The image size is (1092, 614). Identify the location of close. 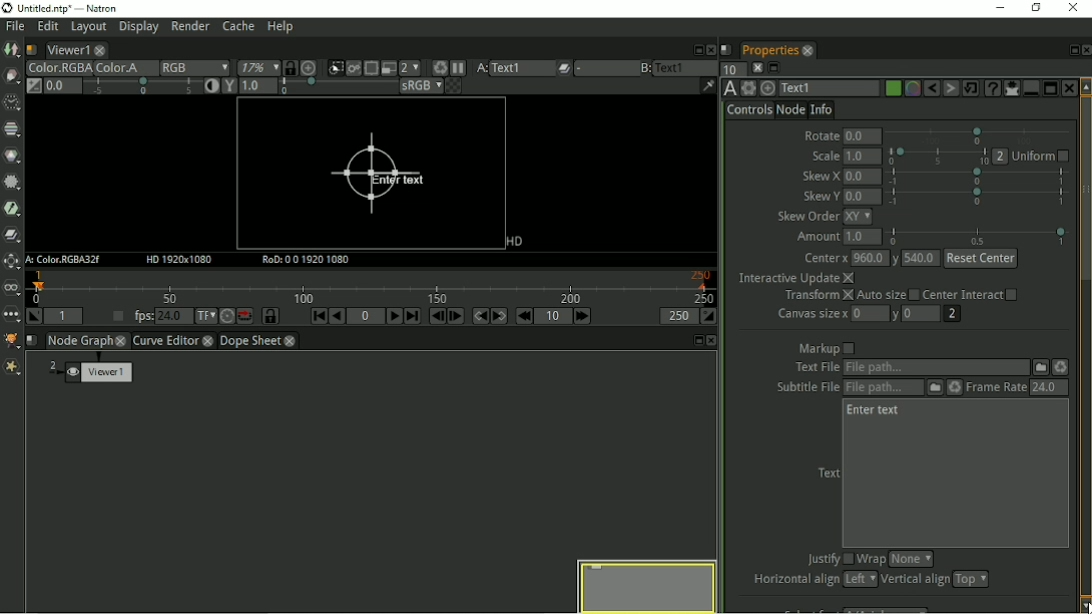
(122, 340).